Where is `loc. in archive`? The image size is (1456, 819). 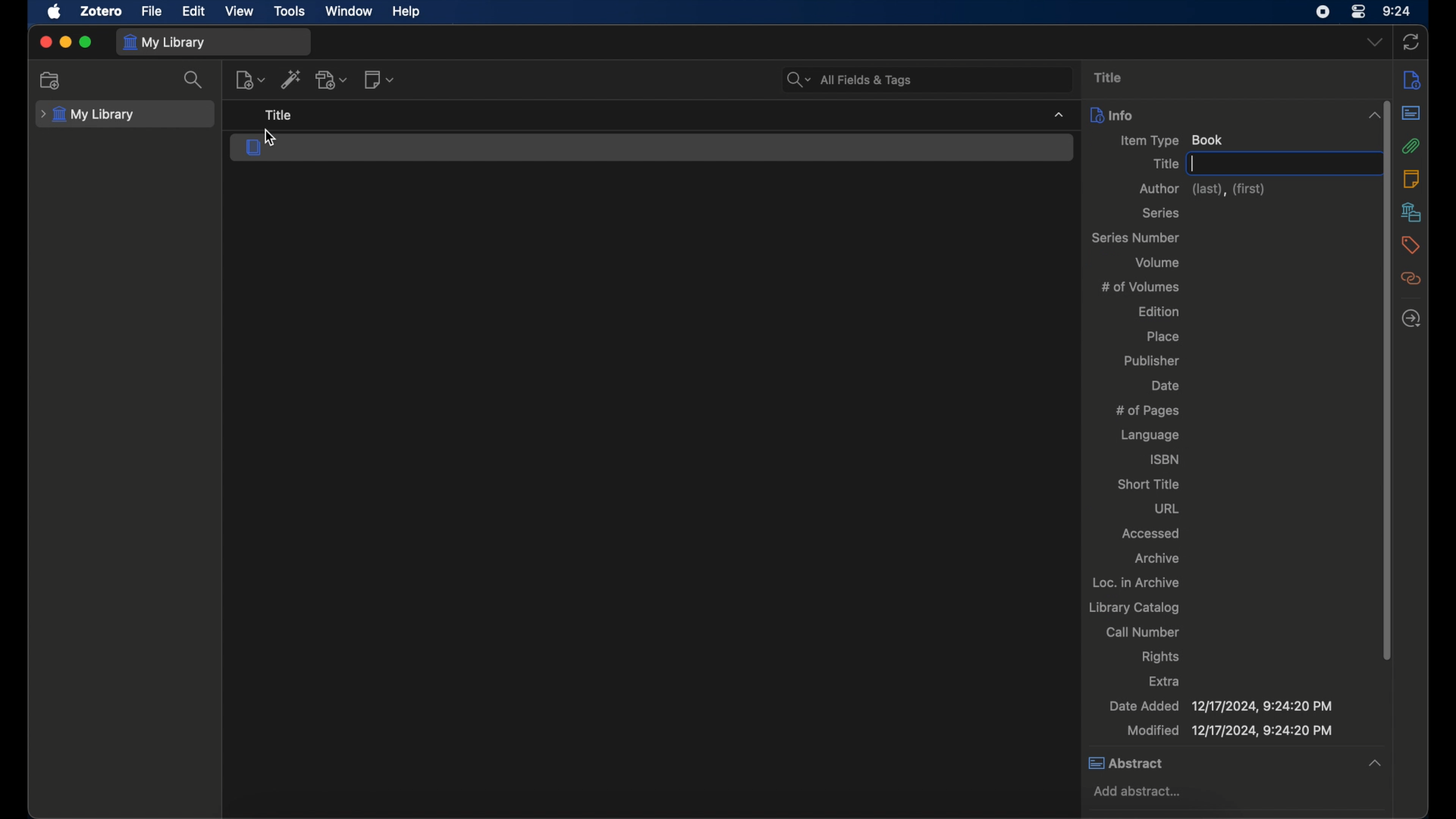 loc. in archive is located at coordinates (1138, 582).